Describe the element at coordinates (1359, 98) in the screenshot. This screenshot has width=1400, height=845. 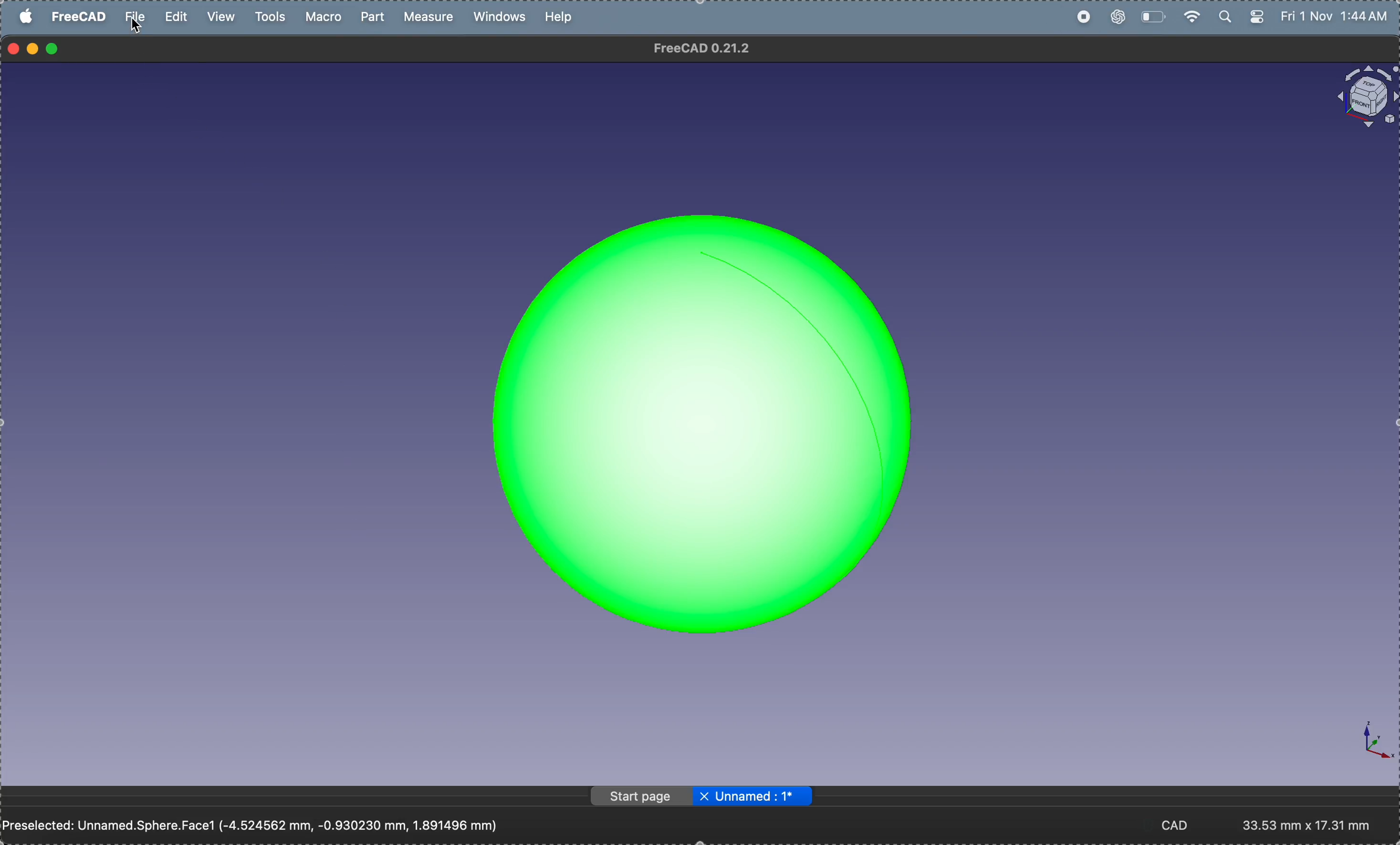
I see `object view` at that location.